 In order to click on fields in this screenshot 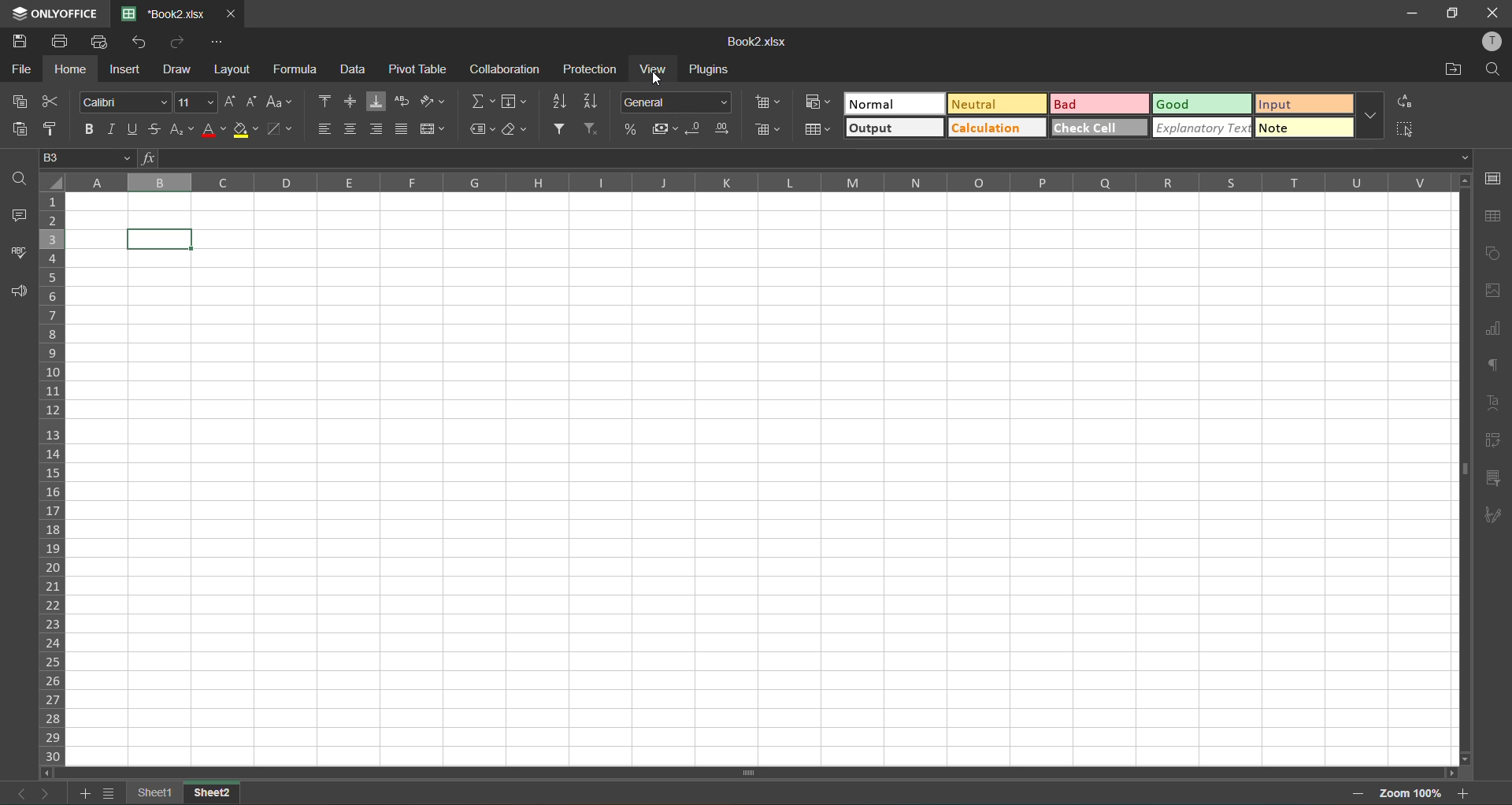, I will do `click(515, 102)`.